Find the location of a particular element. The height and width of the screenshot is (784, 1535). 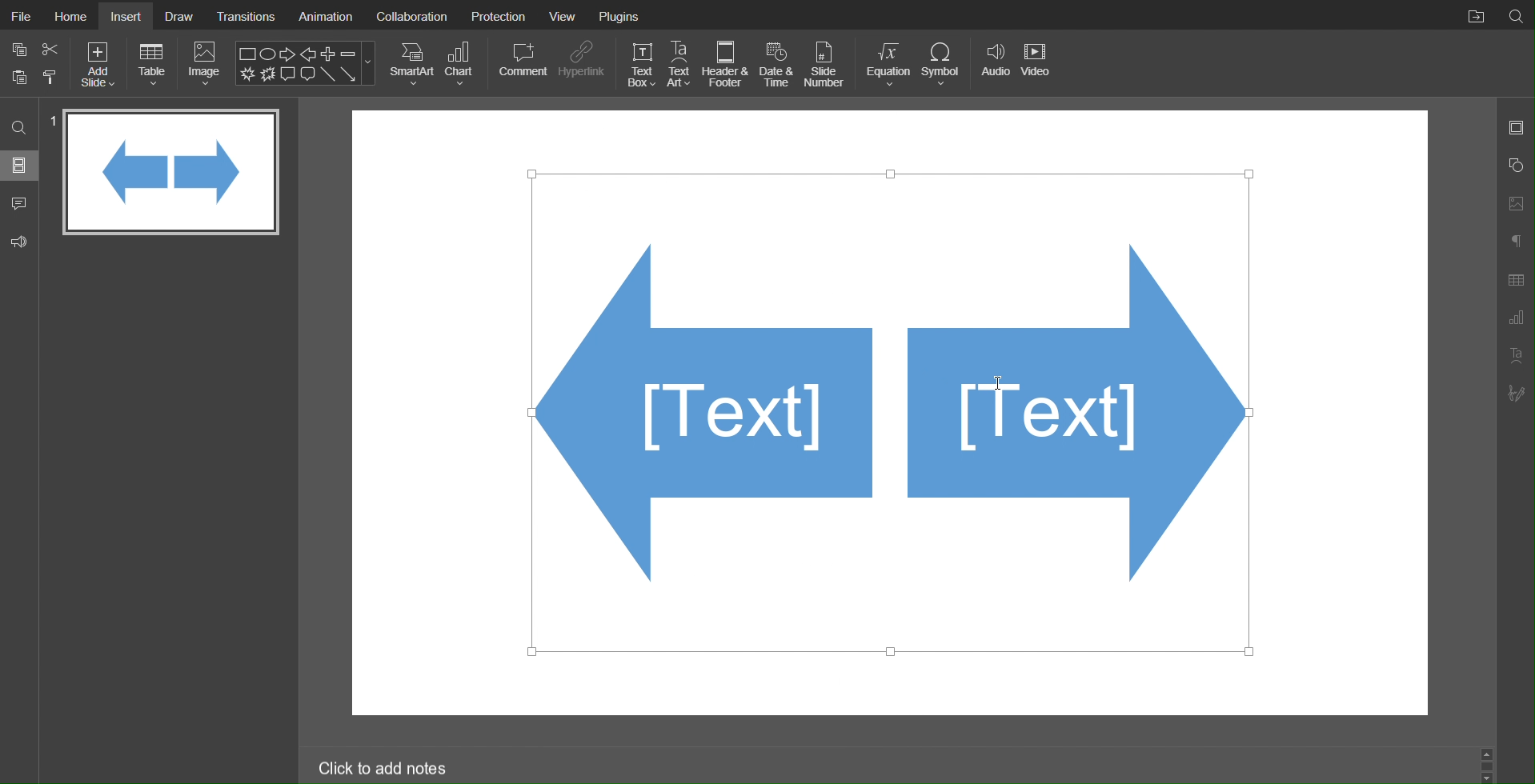

Hyperlink is located at coordinates (582, 65).